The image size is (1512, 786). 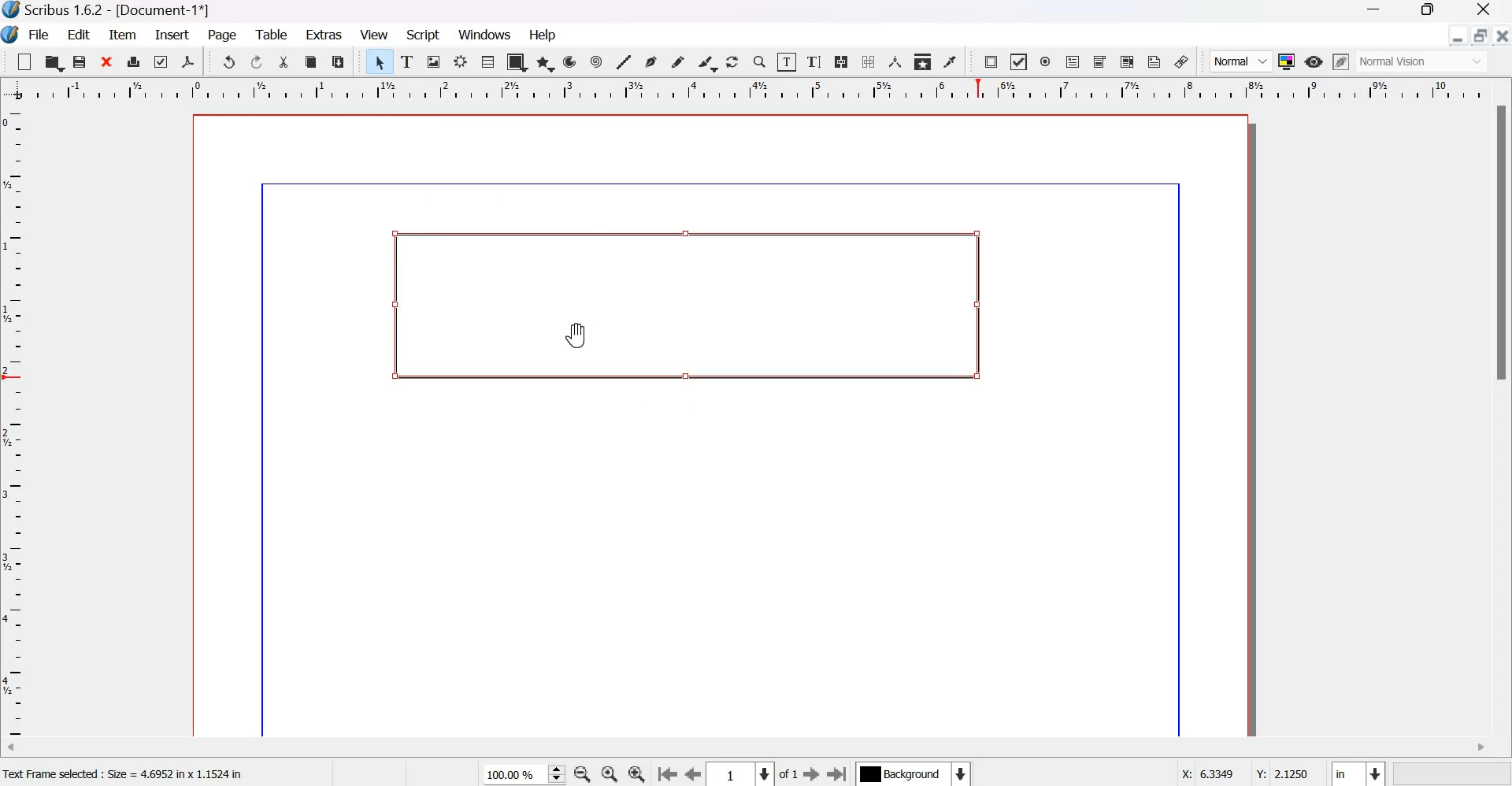 I want to click on arc, so click(x=570, y=61).